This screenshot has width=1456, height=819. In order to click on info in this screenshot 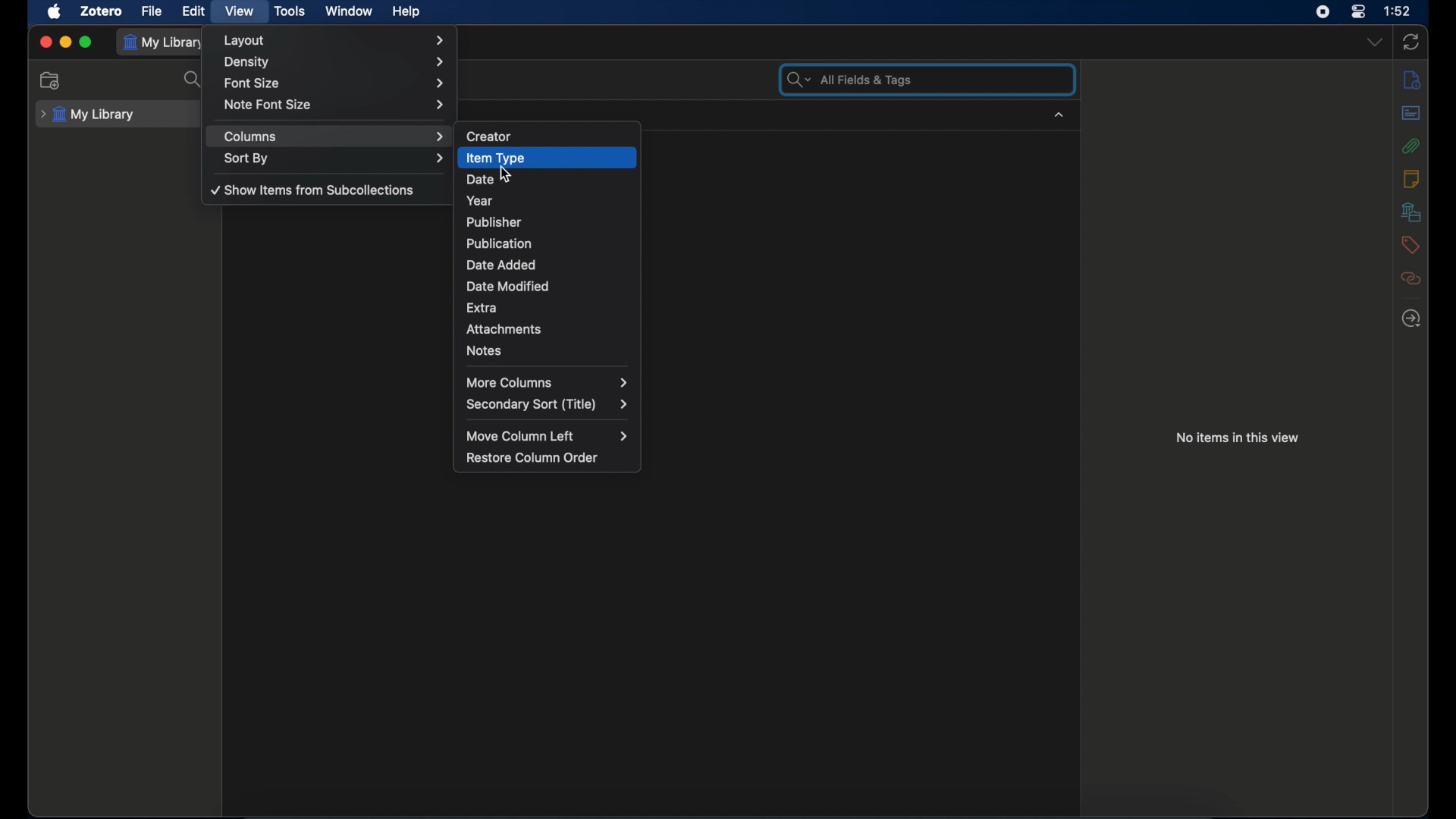, I will do `click(1412, 80)`.